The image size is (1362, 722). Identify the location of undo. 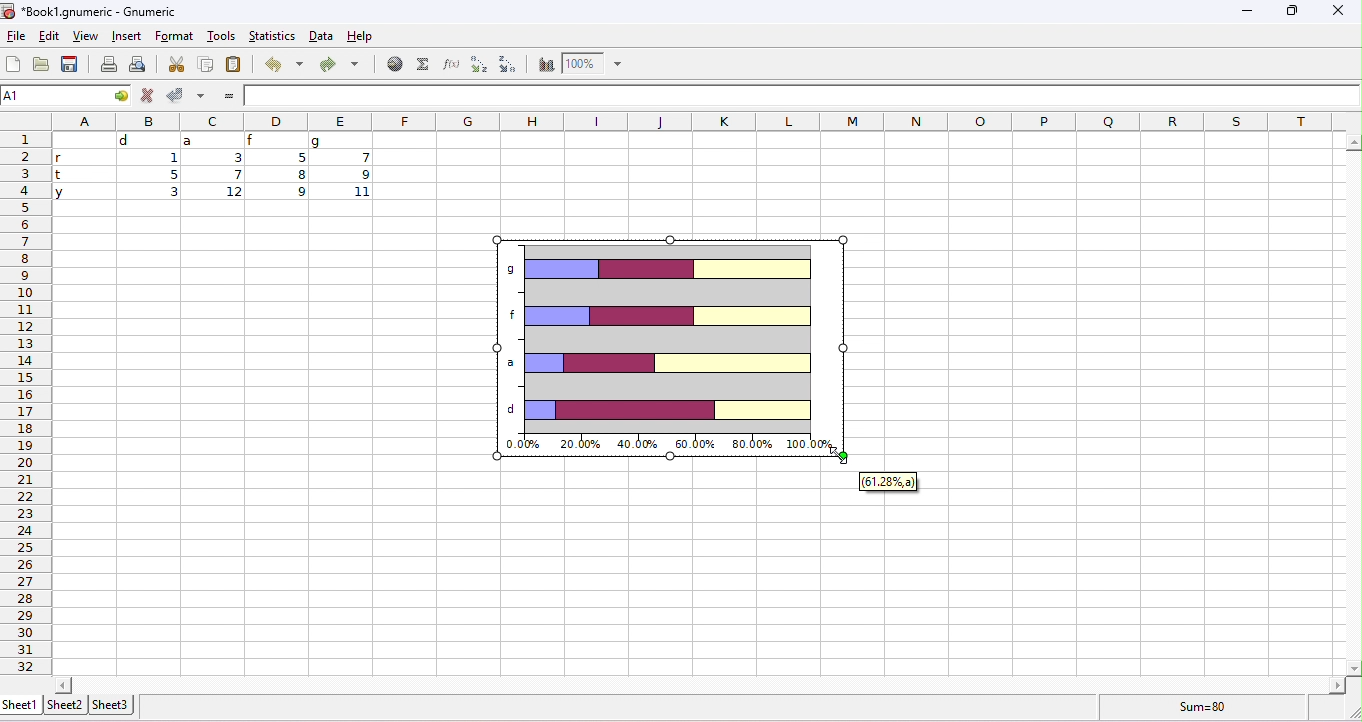
(282, 63).